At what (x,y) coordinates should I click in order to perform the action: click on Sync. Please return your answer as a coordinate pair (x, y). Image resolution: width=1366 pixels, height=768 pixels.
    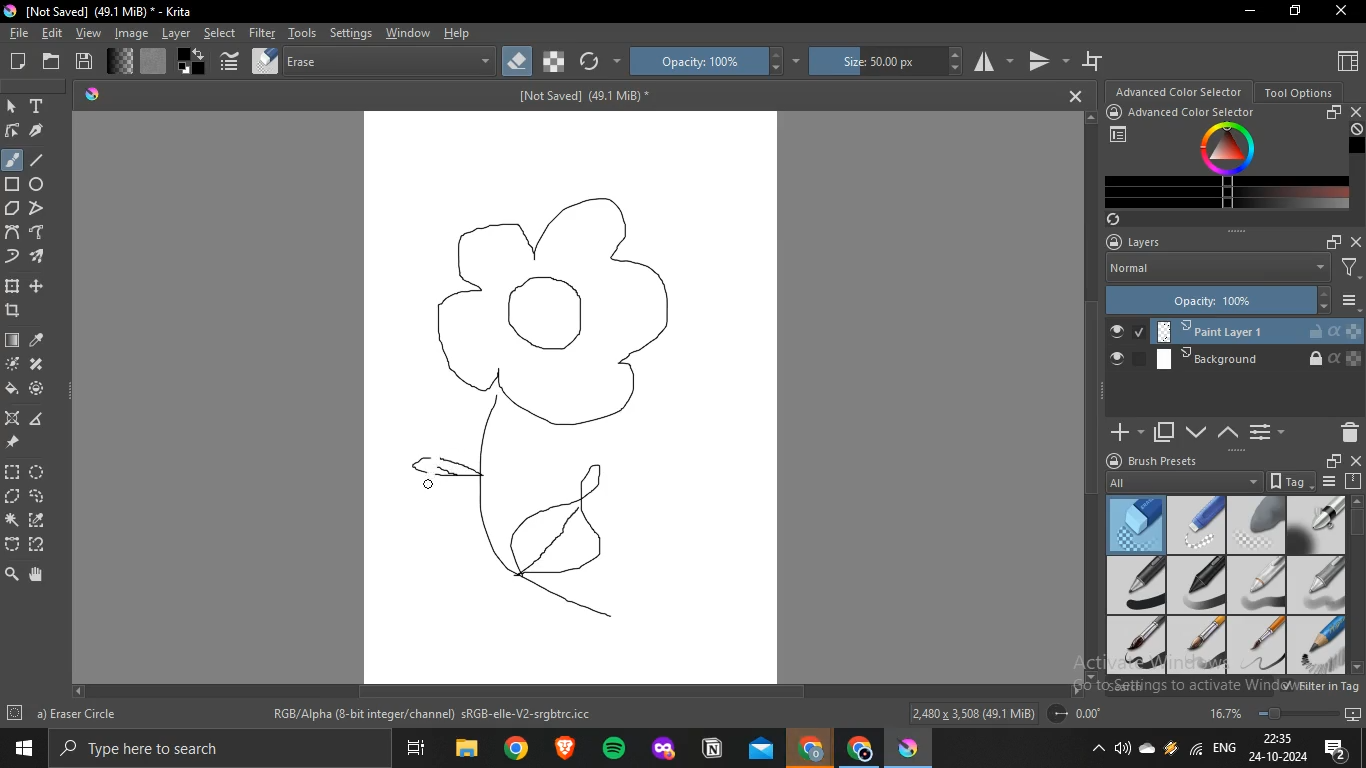
    Looking at the image, I should click on (1117, 219).